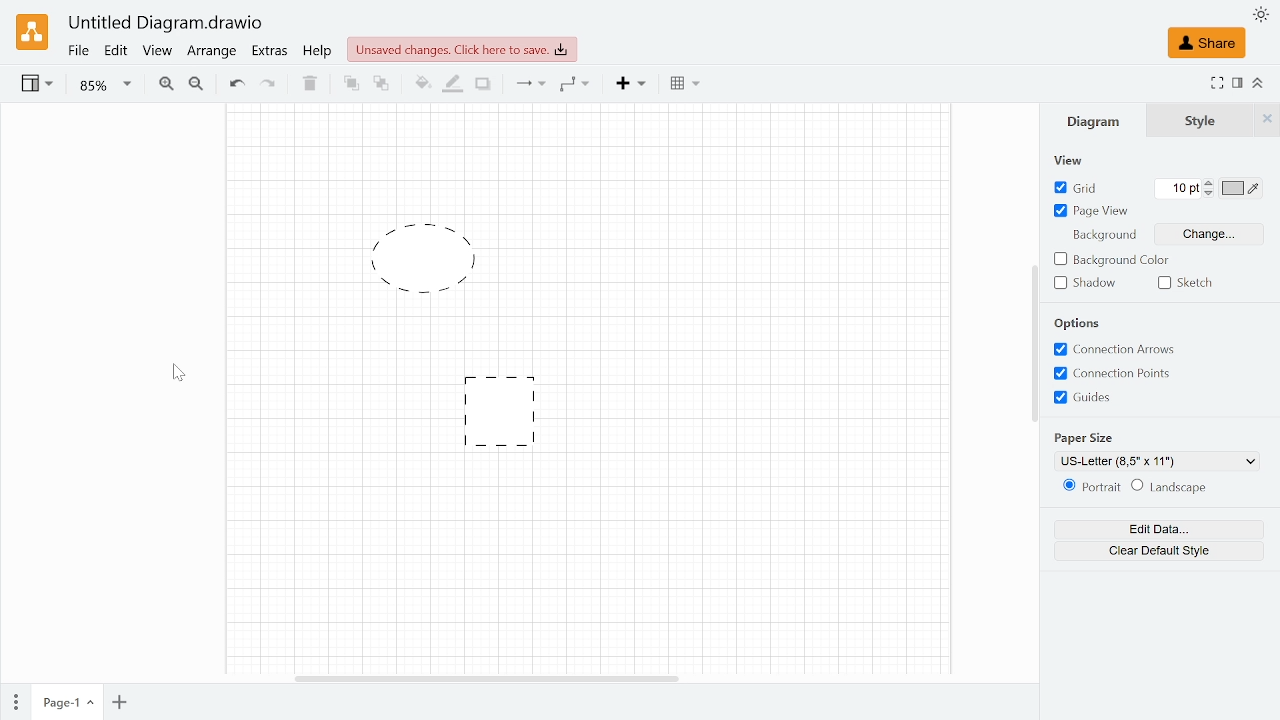 Image resolution: width=1280 pixels, height=720 pixels. I want to click on Horizontal scrollbar, so click(485, 676).